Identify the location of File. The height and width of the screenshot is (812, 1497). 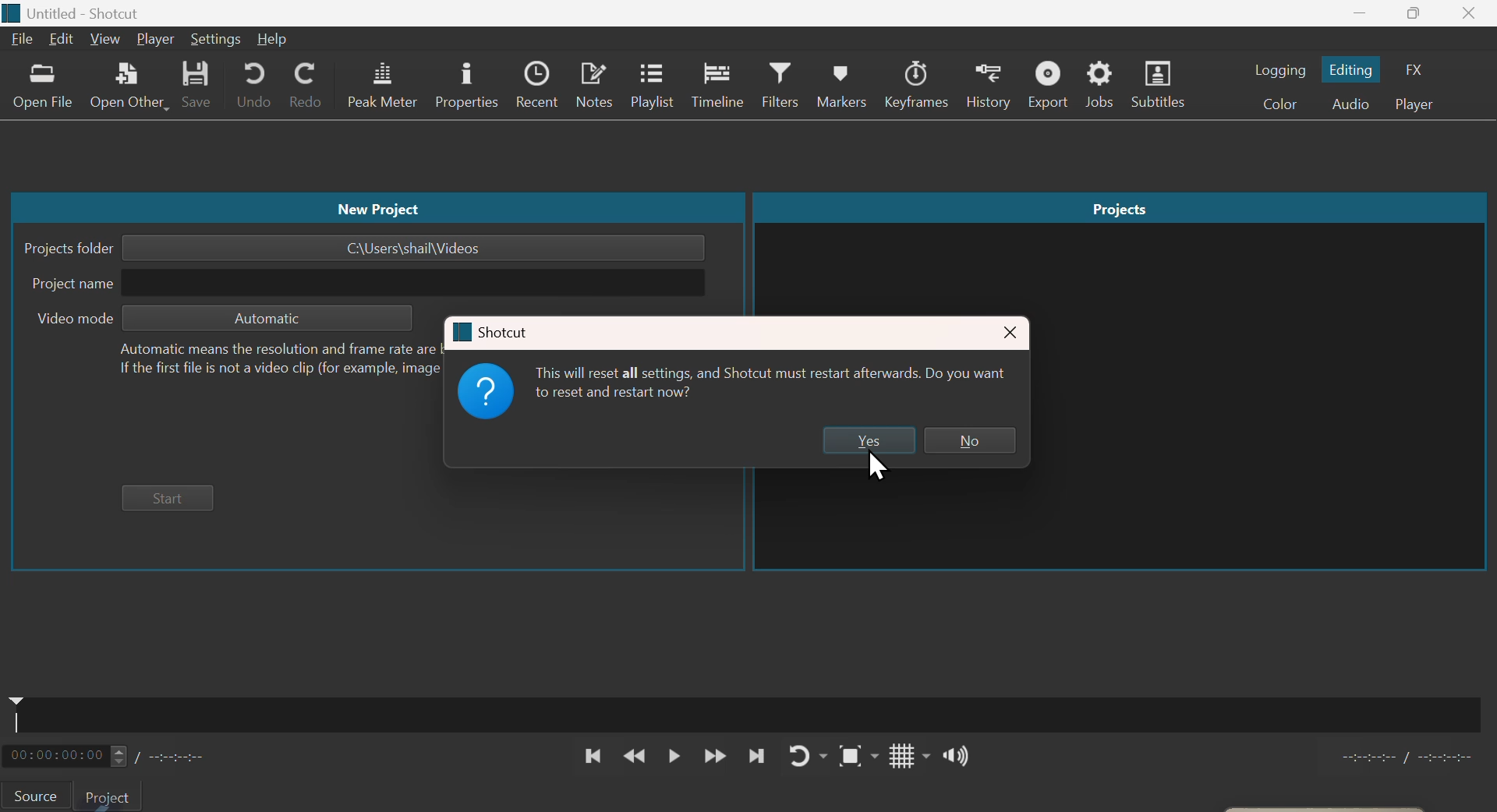
(20, 41).